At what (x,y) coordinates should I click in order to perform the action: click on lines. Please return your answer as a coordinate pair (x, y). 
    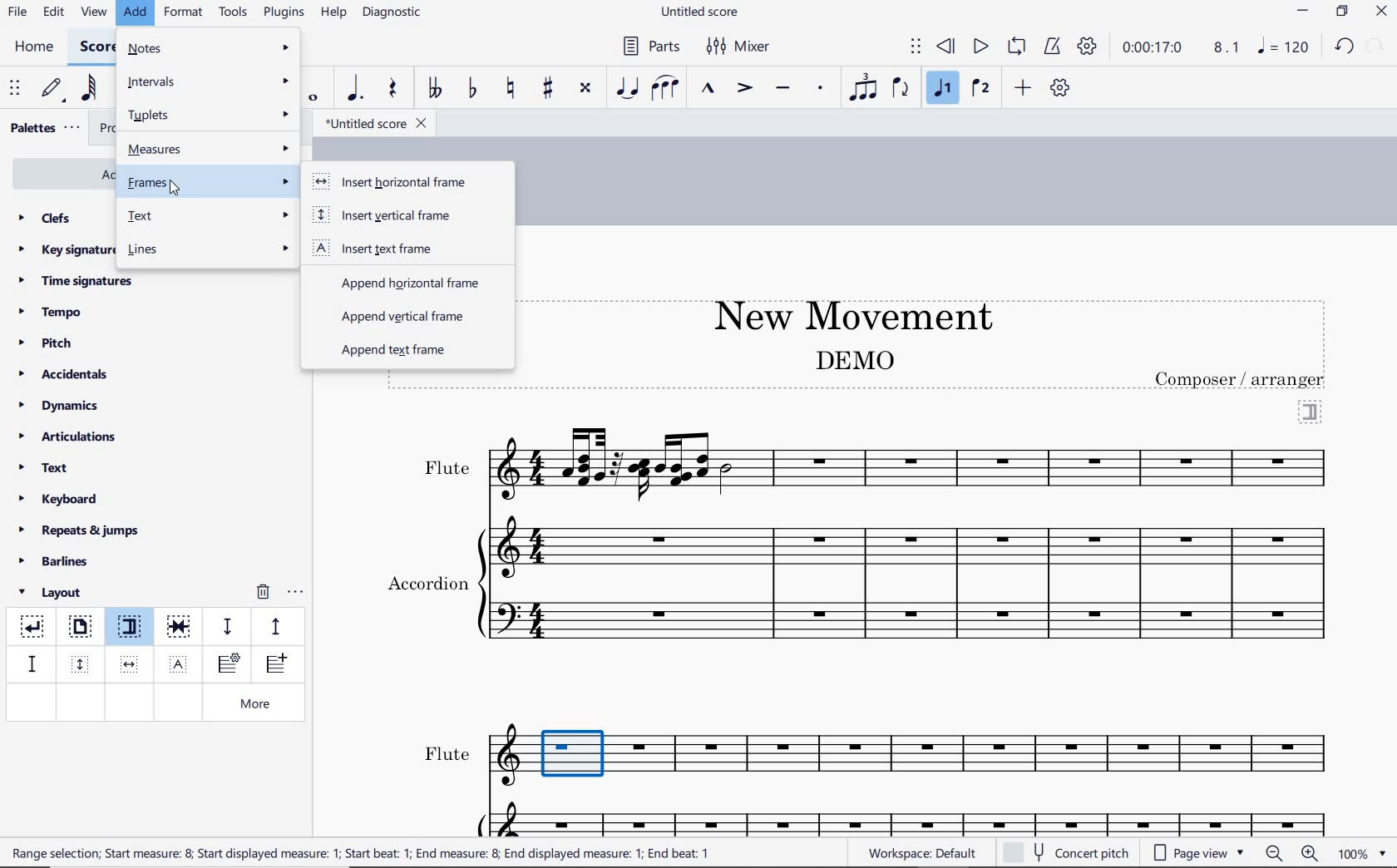
    Looking at the image, I should click on (209, 250).